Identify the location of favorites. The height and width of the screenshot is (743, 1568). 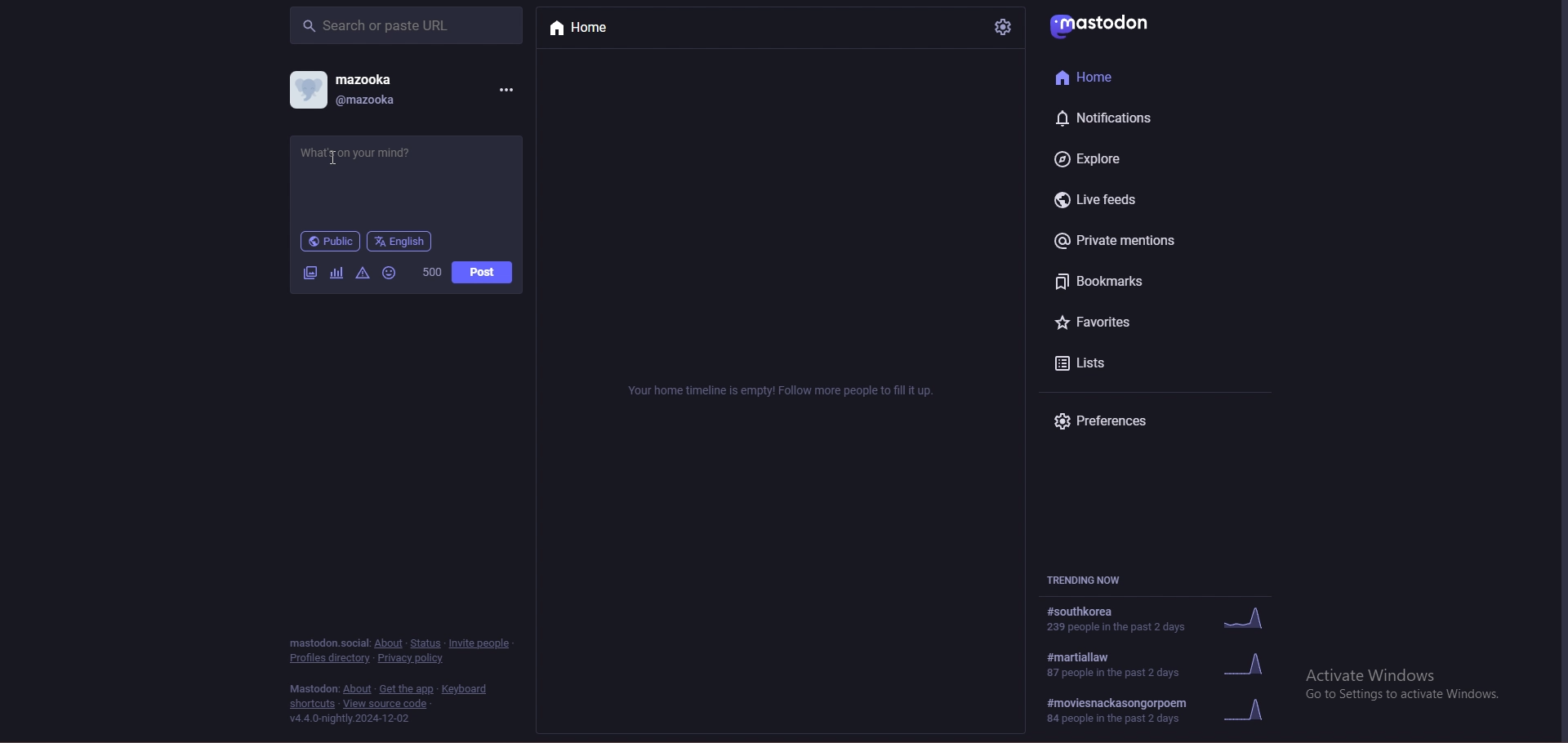
(1114, 324).